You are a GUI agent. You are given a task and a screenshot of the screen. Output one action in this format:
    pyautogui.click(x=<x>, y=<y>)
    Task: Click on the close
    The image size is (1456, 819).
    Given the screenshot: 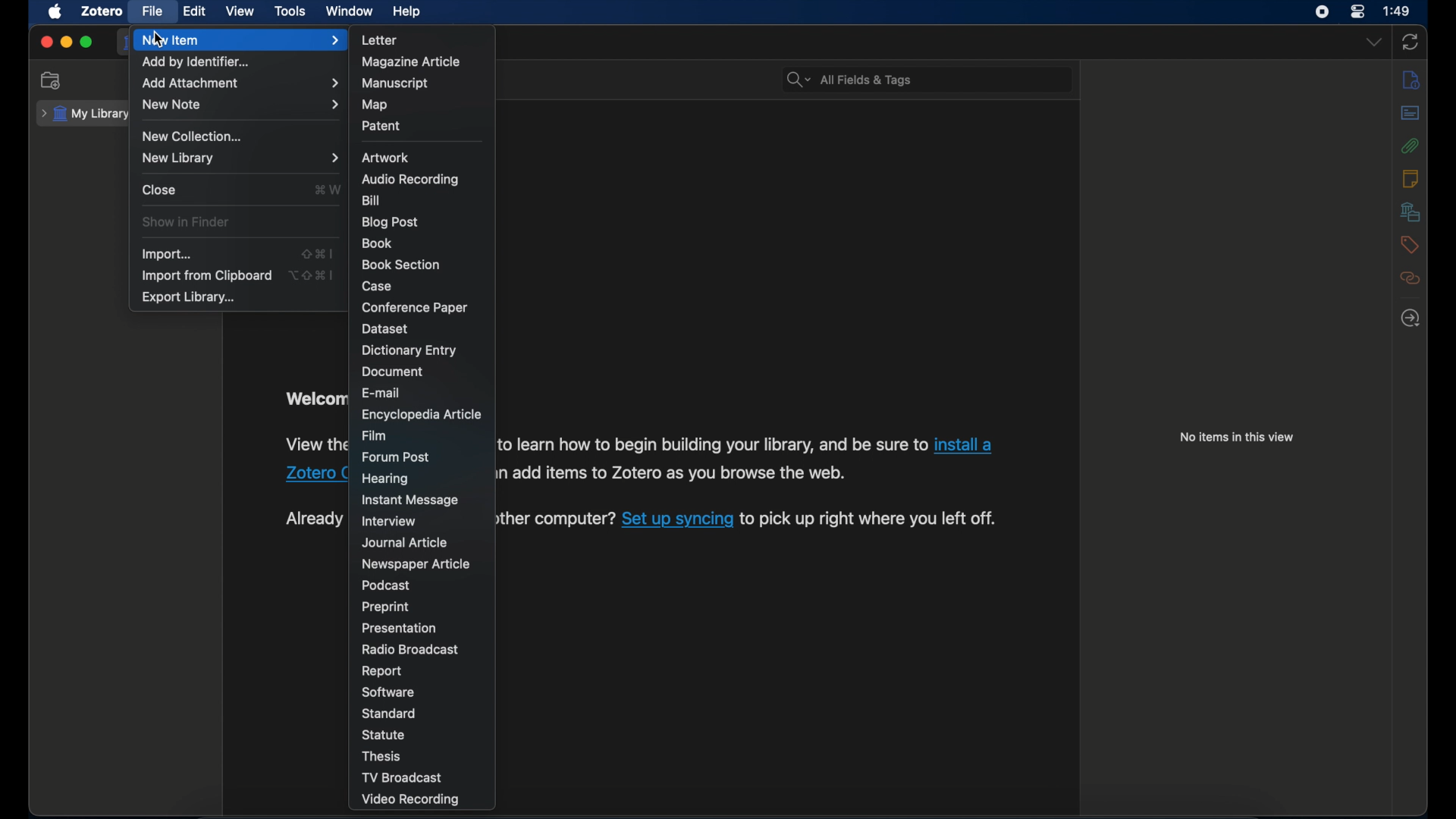 What is the action you would take?
    pyautogui.click(x=159, y=189)
    